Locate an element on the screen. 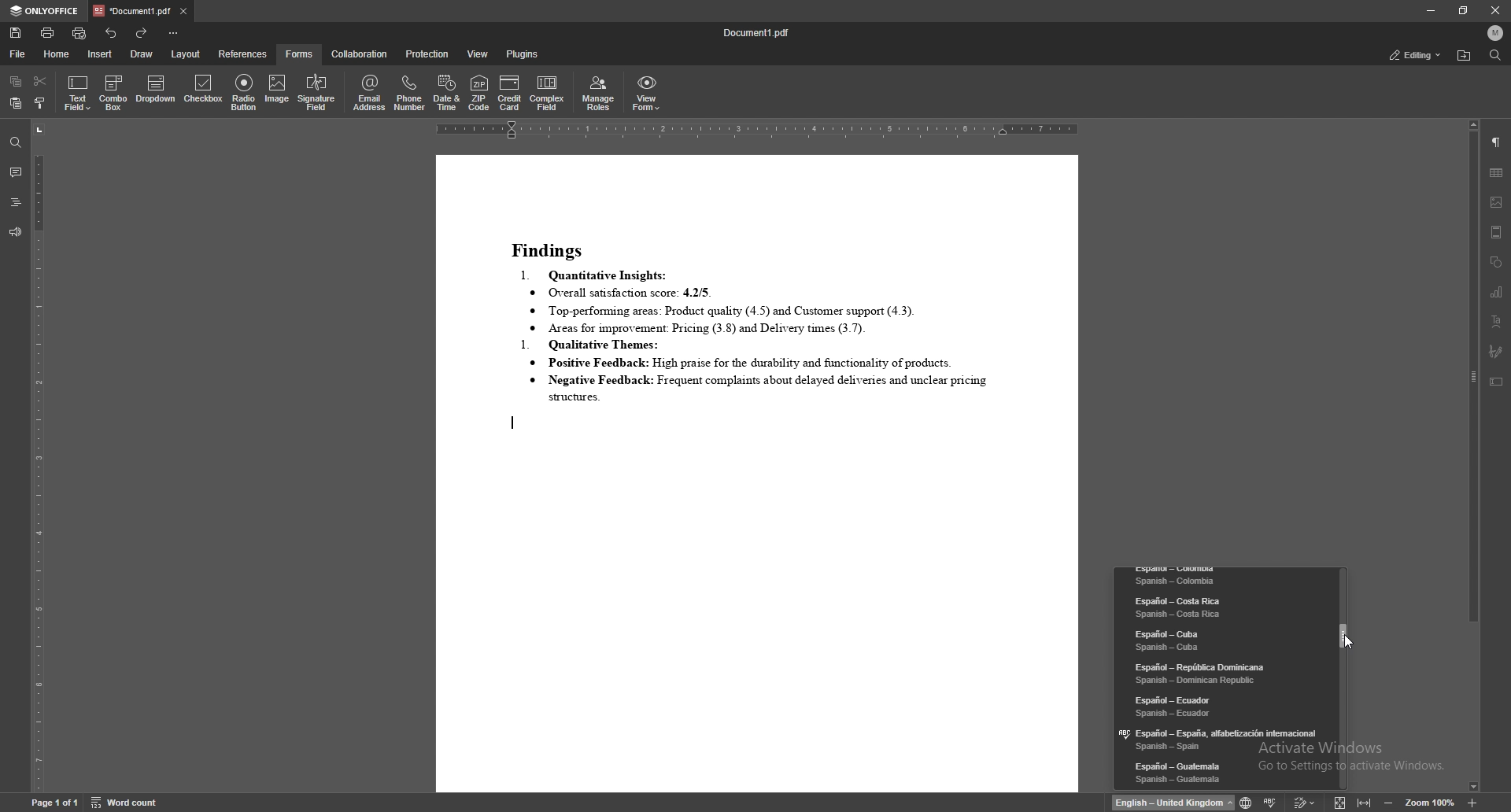  find is located at coordinates (1496, 54).